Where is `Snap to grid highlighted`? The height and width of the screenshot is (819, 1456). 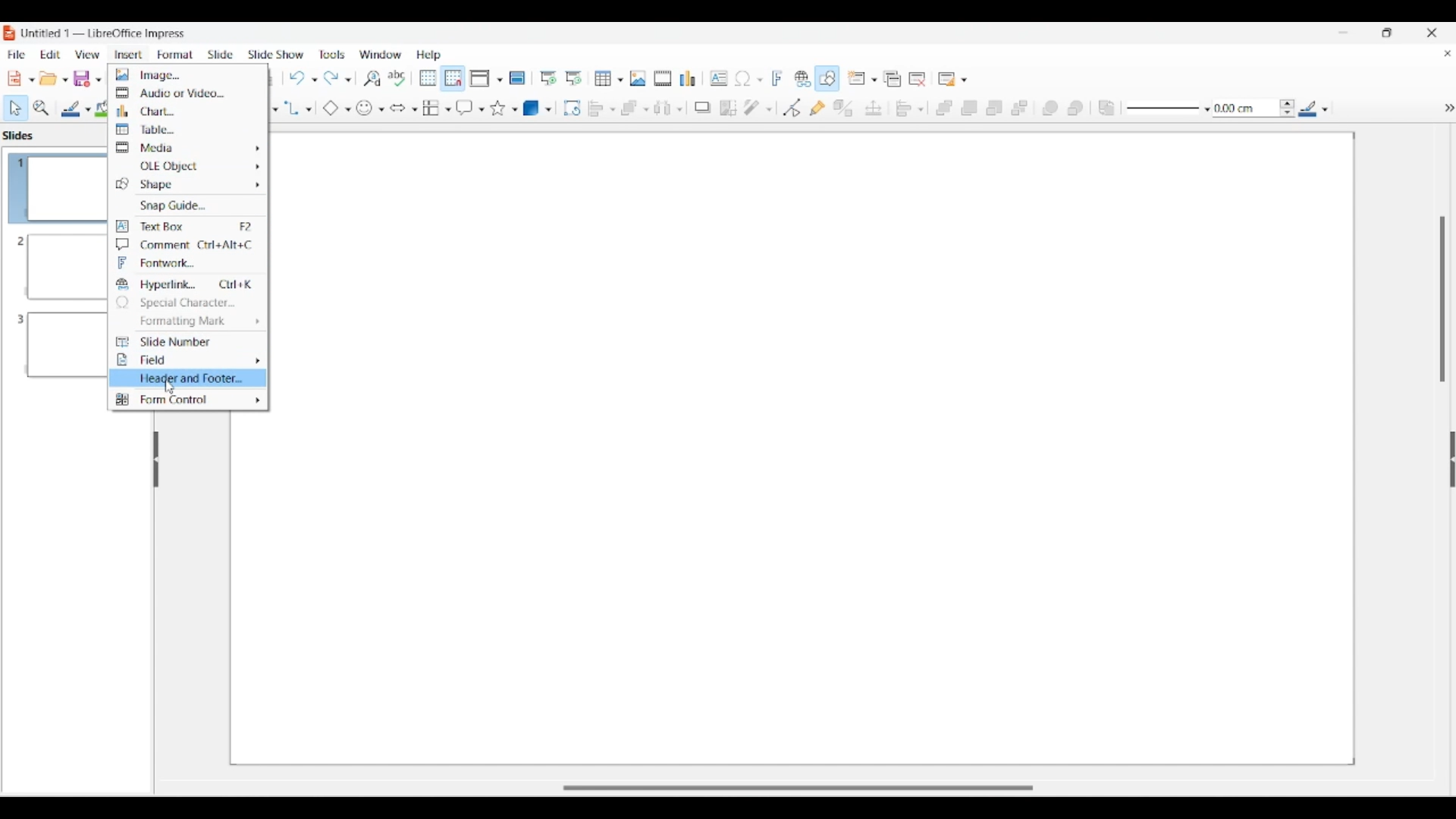 Snap to grid highlighted is located at coordinates (453, 79).